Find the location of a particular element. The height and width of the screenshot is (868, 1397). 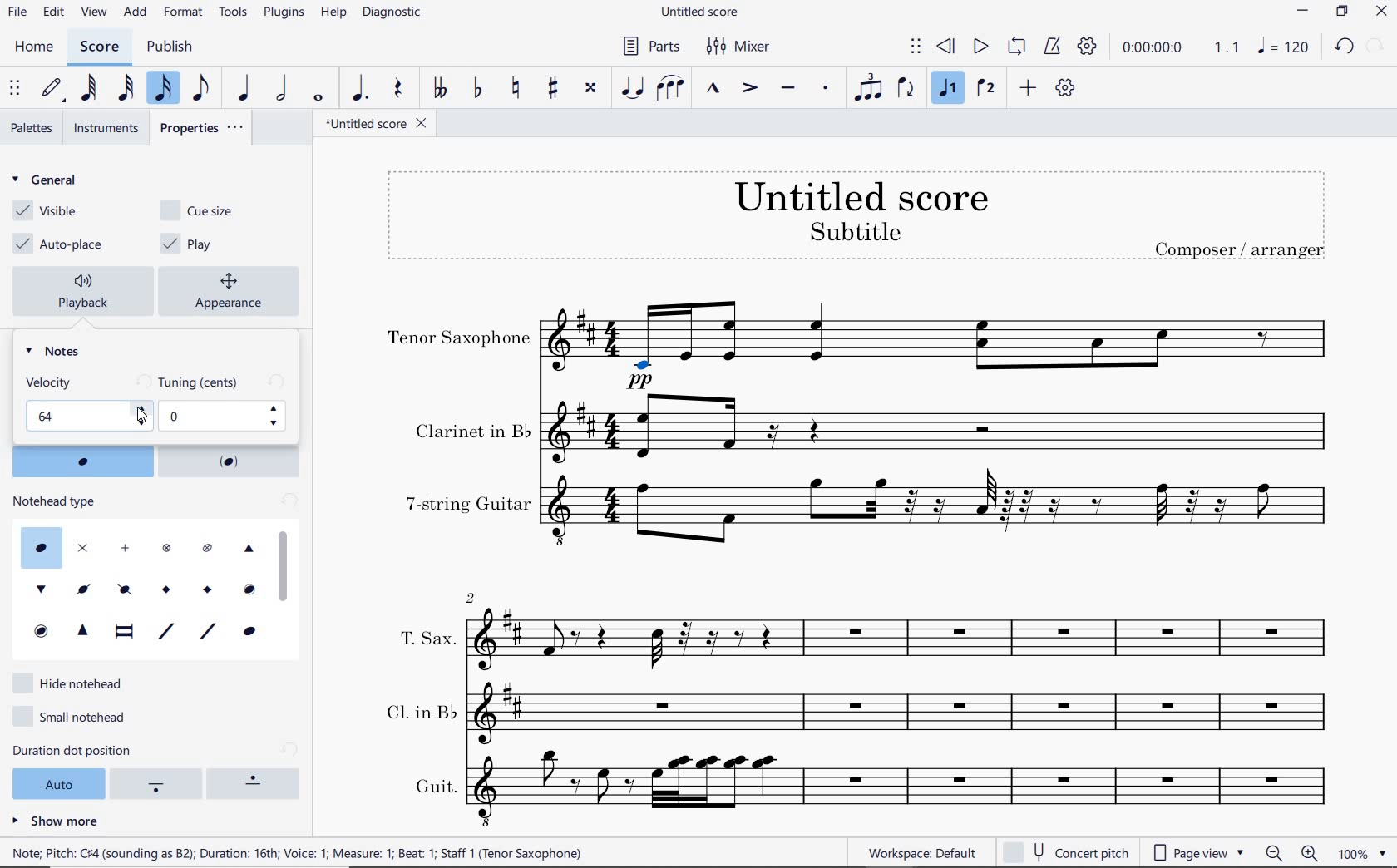

text is located at coordinates (57, 501).